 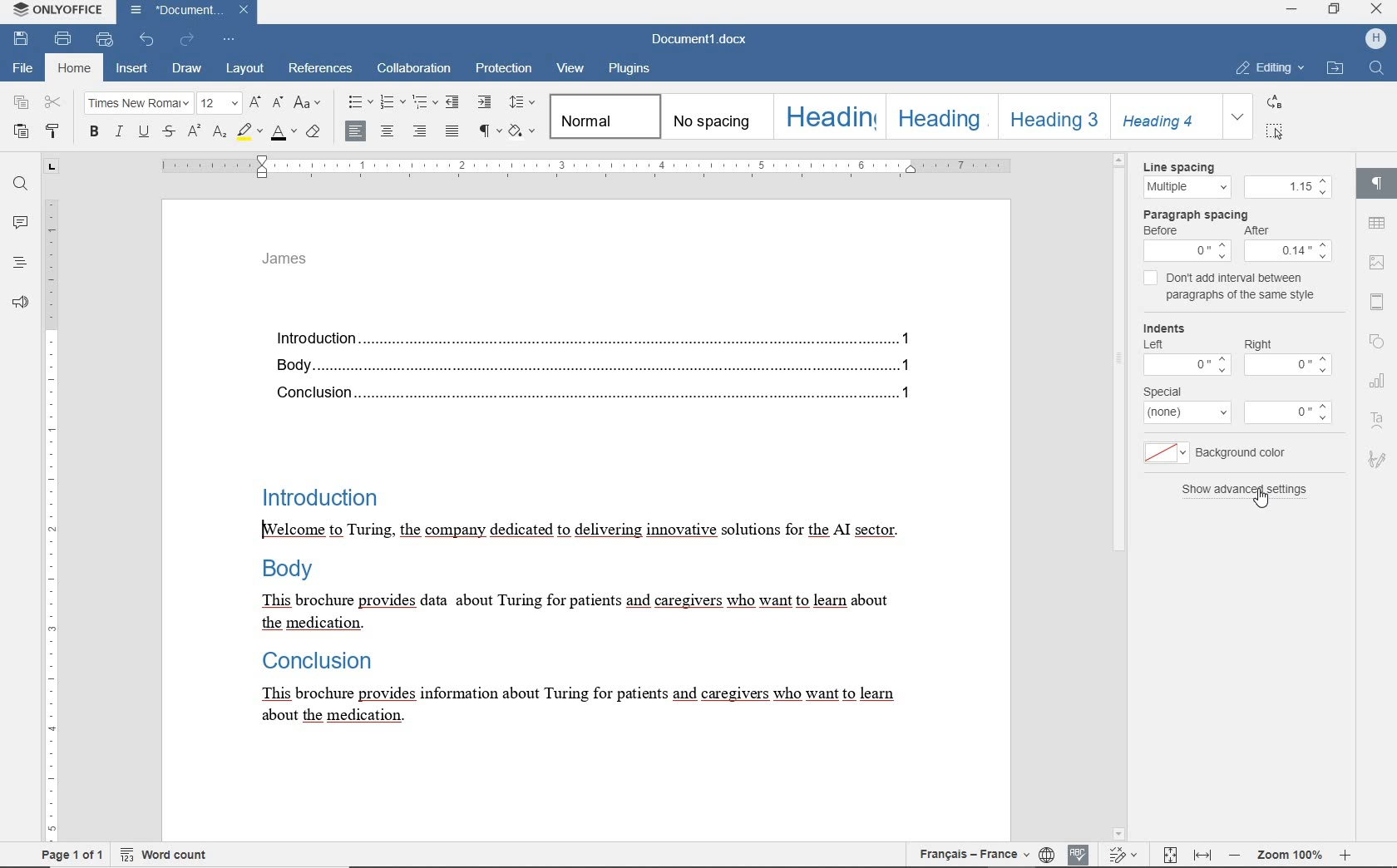 I want to click on font size, so click(x=220, y=104).